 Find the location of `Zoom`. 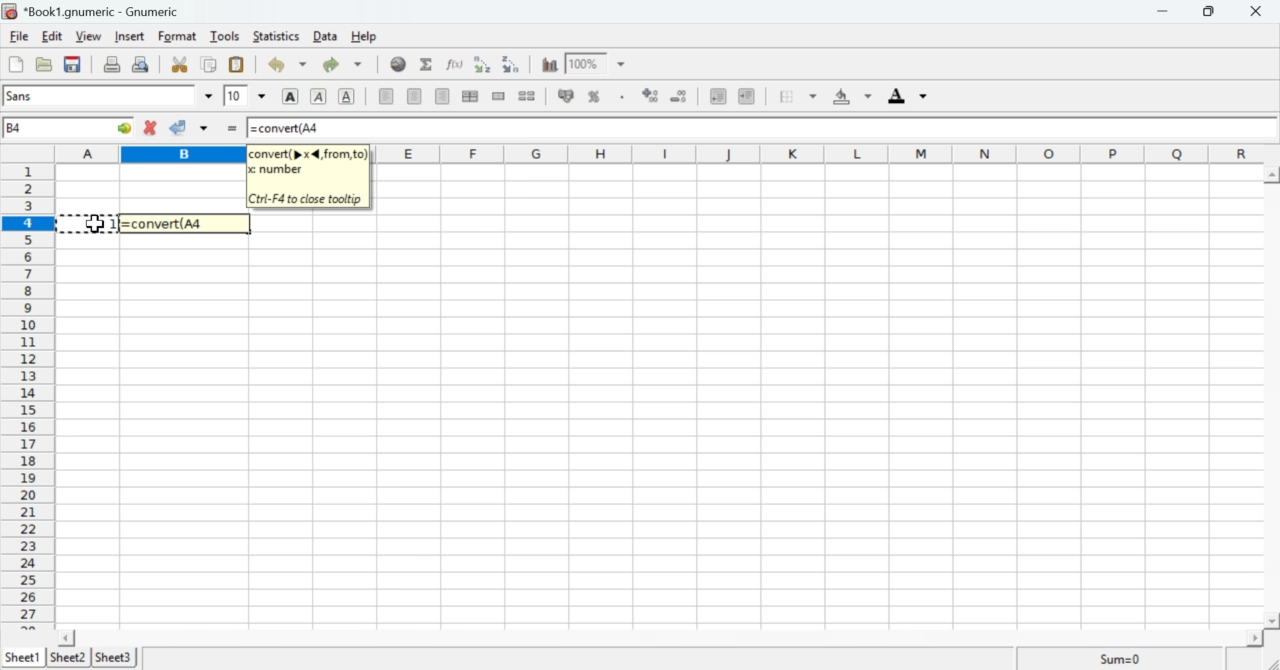

Zoom is located at coordinates (598, 61).